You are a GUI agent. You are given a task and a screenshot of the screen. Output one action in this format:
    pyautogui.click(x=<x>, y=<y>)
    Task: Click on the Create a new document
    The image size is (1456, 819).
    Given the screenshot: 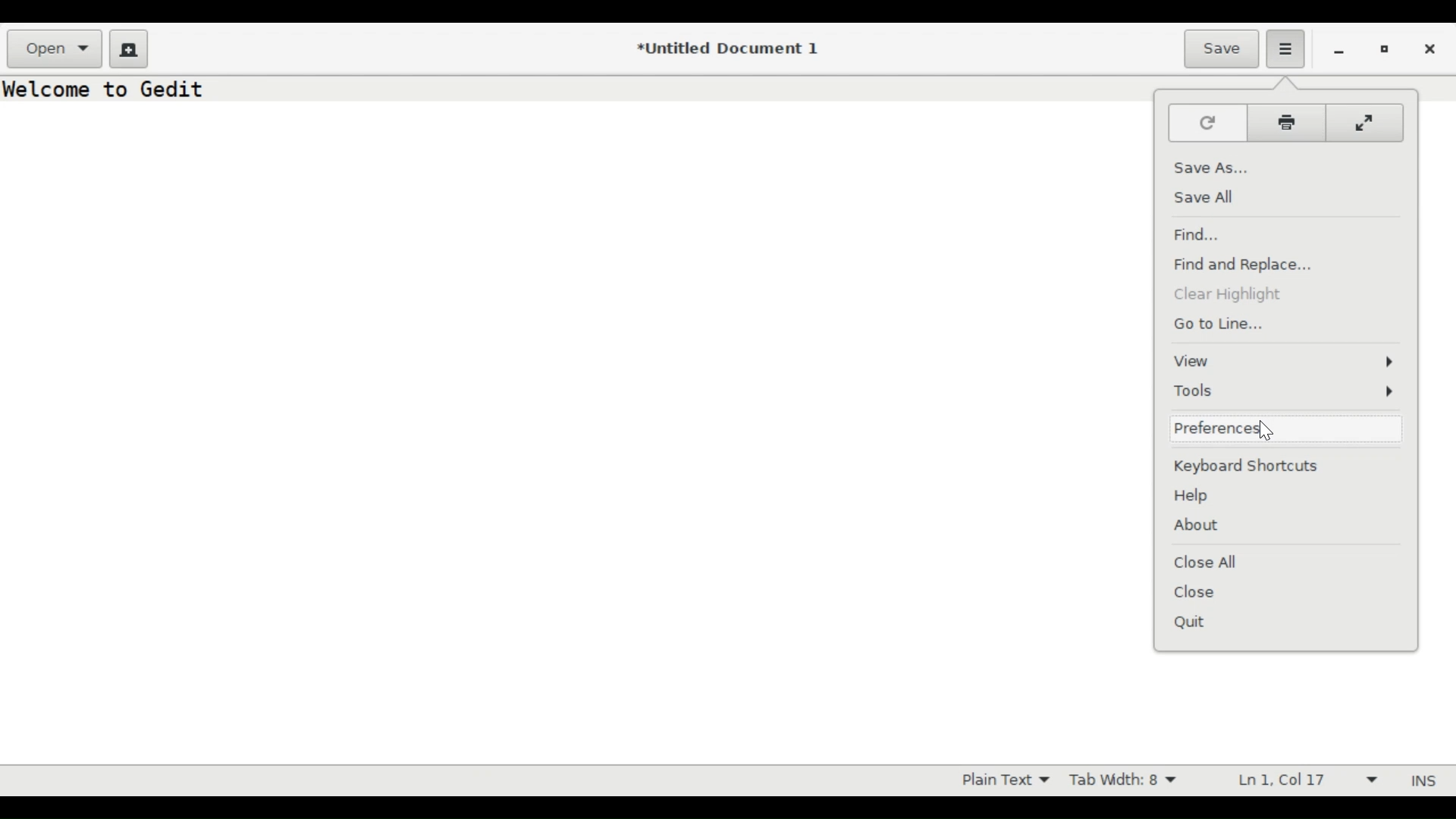 What is the action you would take?
    pyautogui.click(x=127, y=48)
    